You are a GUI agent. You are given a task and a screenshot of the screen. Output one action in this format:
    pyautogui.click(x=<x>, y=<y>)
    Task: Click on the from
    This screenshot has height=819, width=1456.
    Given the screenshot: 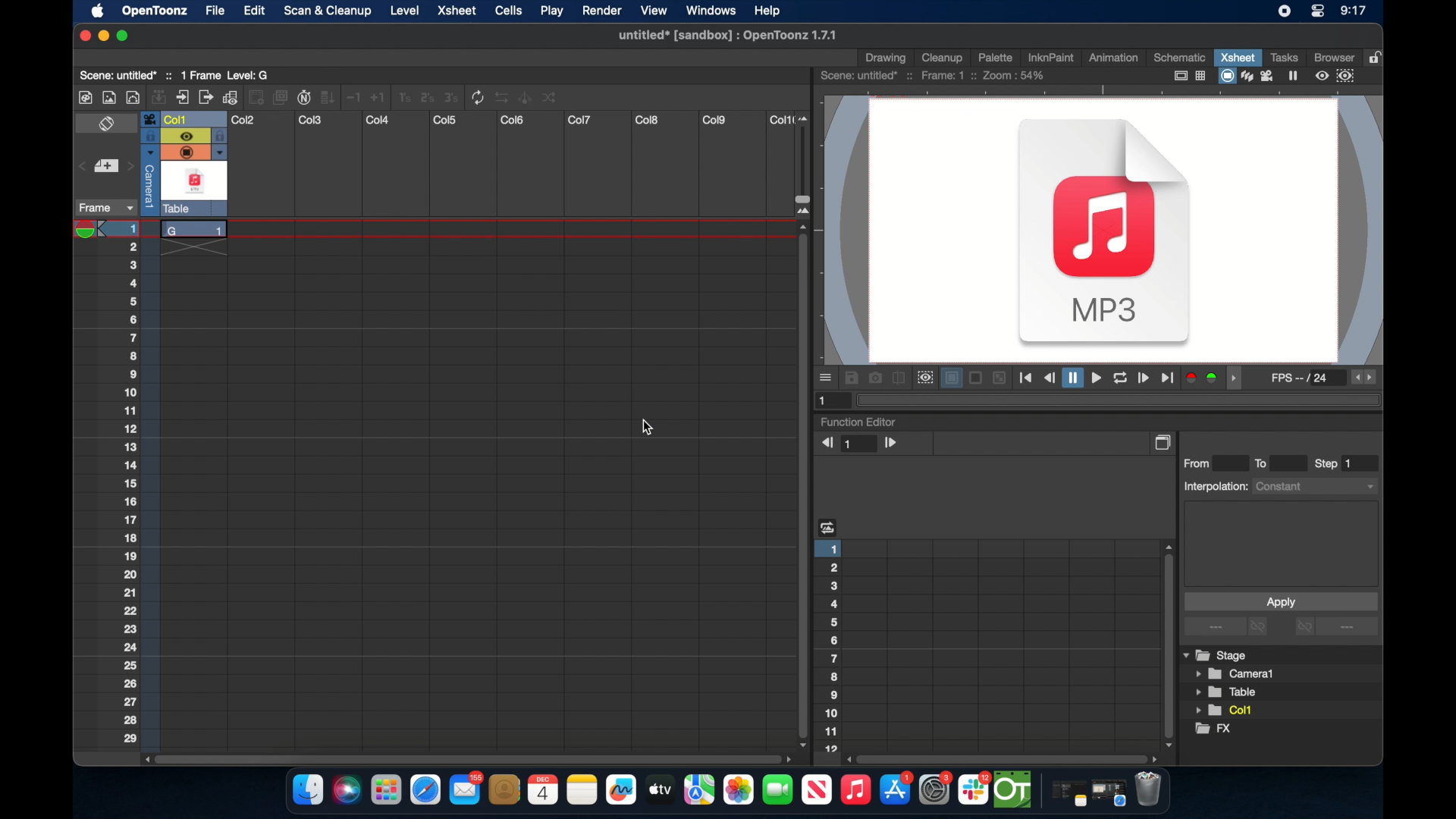 What is the action you would take?
    pyautogui.click(x=1200, y=463)
    